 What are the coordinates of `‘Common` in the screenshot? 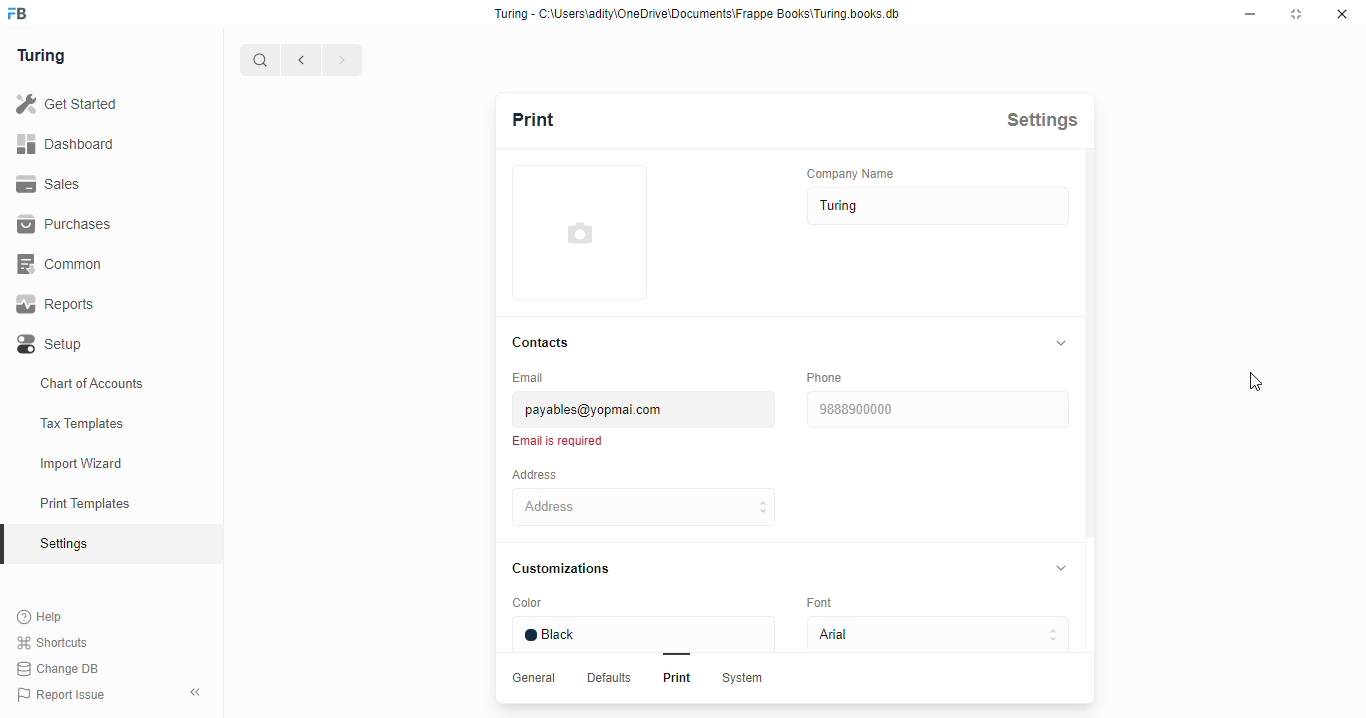 It's located at (65, 263).